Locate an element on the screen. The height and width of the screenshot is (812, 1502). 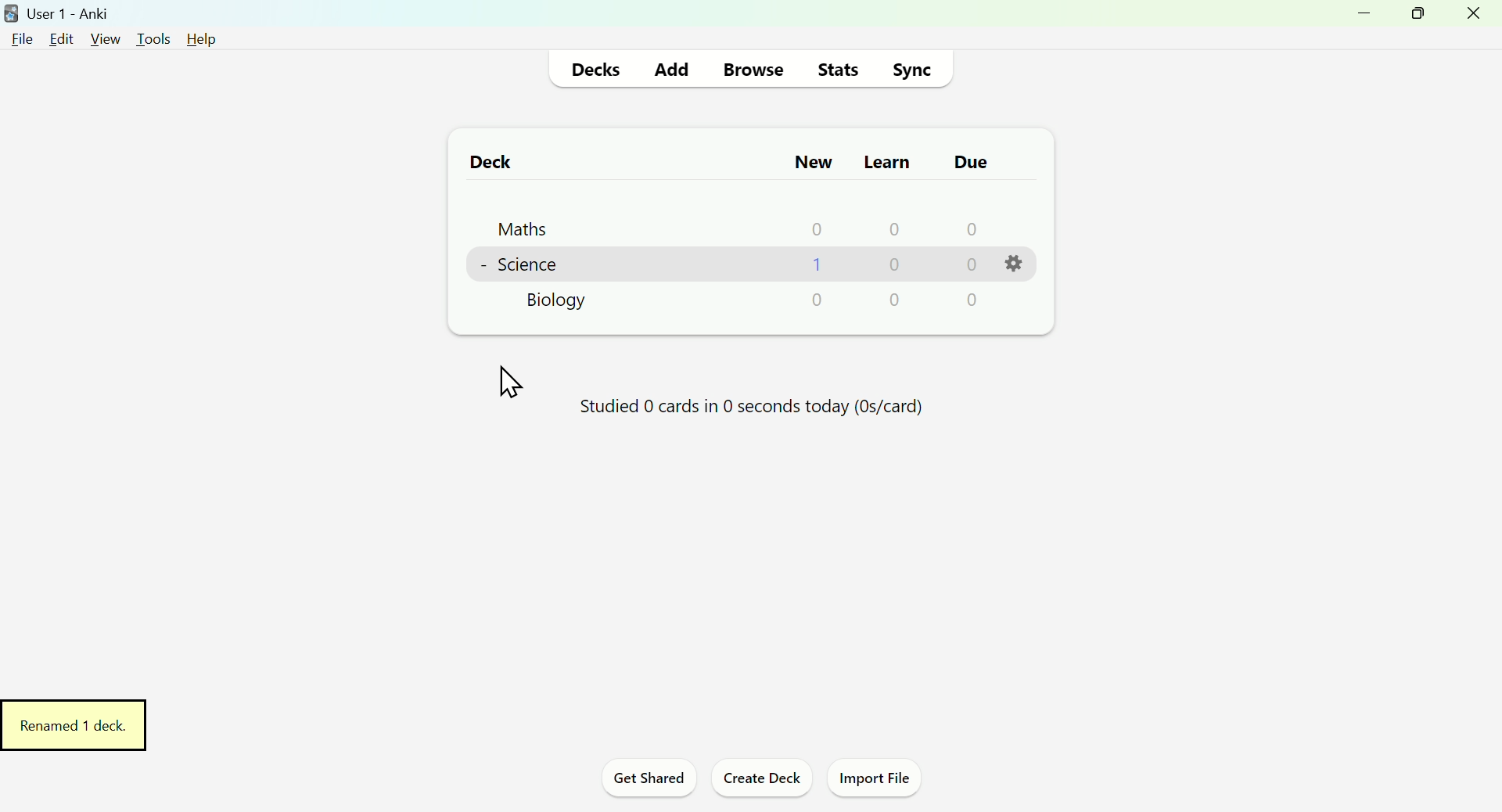
Deck is located at coordinates (483, 161).